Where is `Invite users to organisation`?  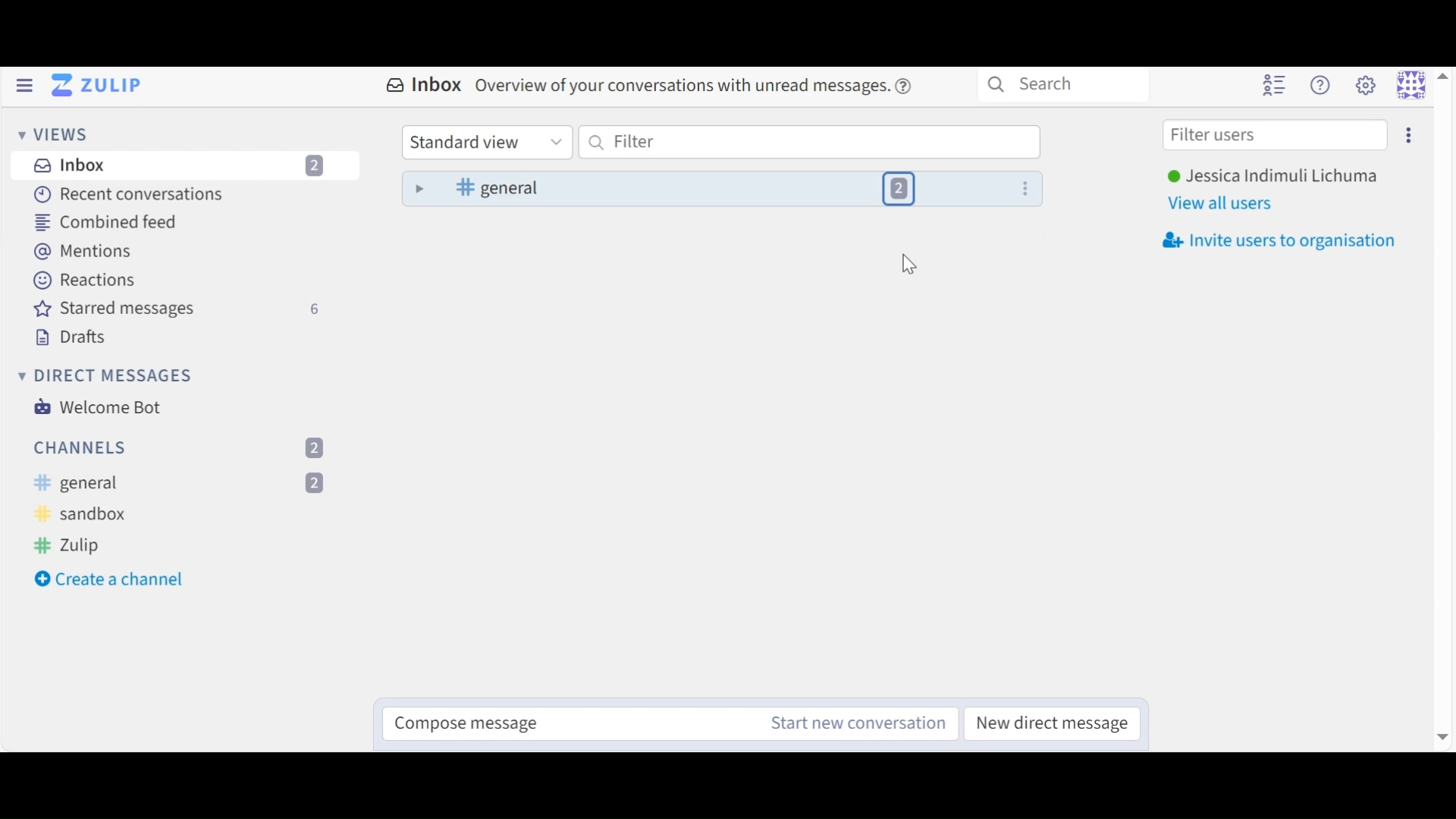
Invite users to organisation is located at coordinates (1285, 237).